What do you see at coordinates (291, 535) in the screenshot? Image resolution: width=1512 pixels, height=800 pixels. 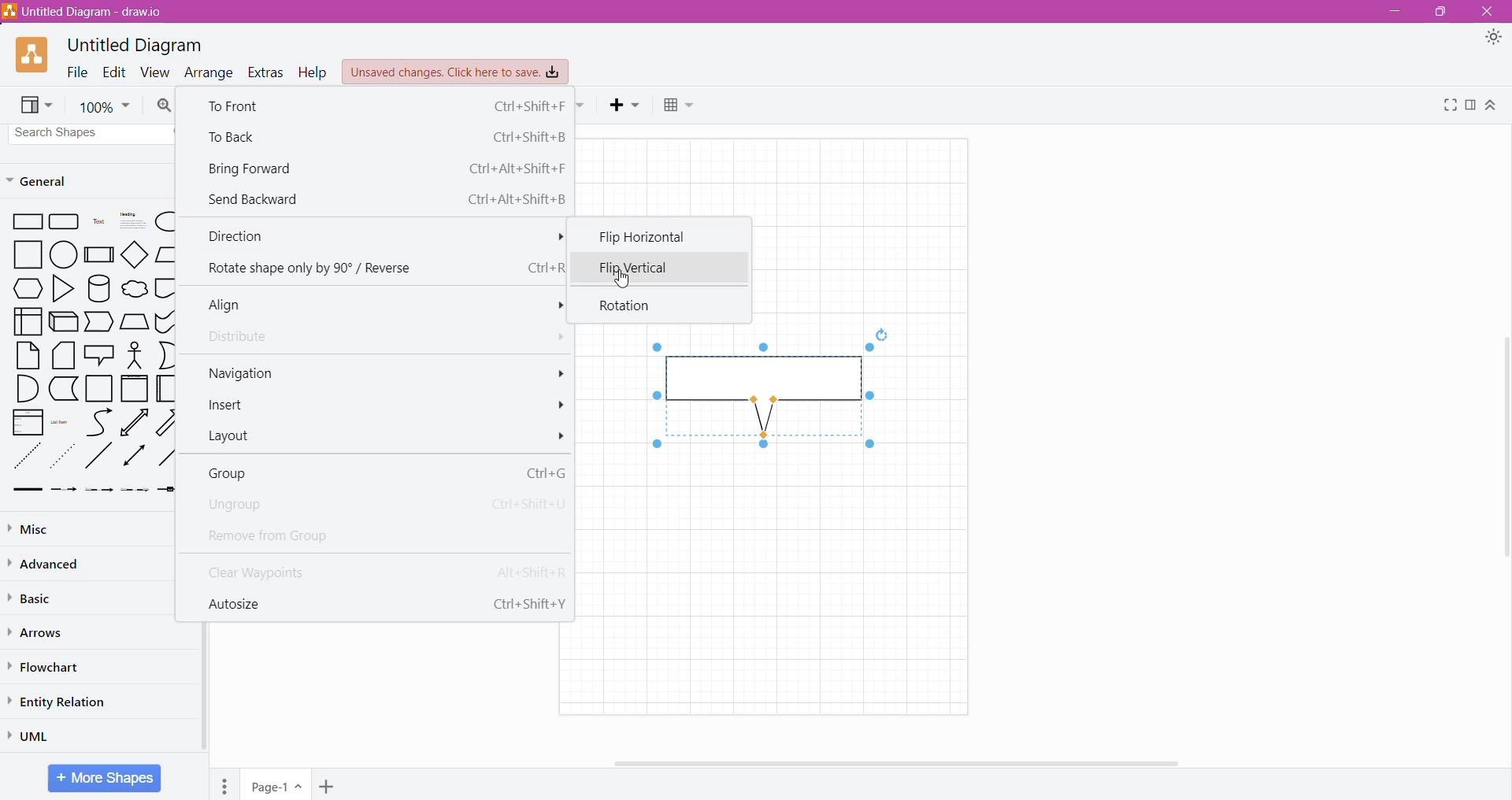 I see `Remove from Group` at bounding box center [291, 535].